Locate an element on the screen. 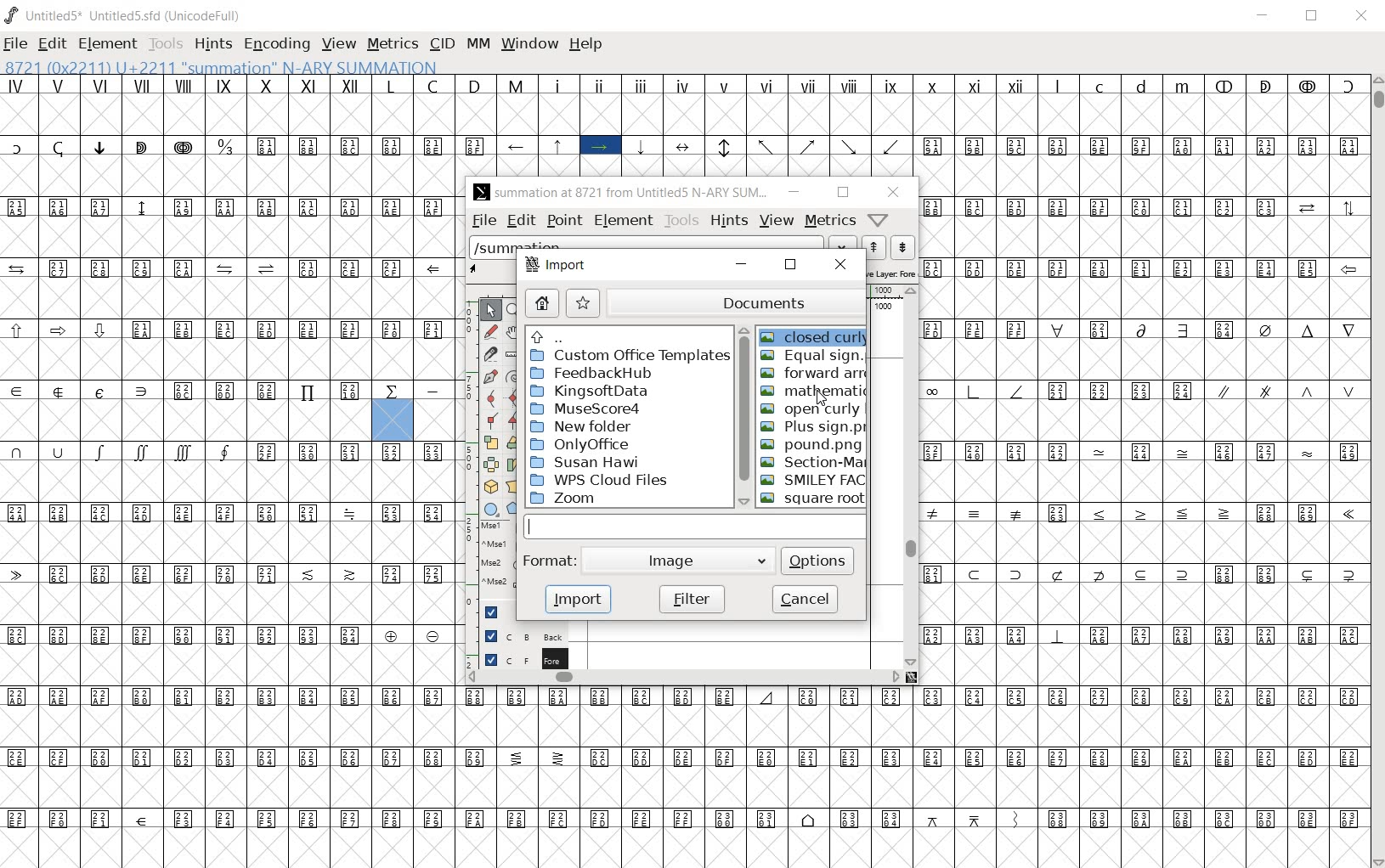  scale the selection is located at coordinates (491, 442).